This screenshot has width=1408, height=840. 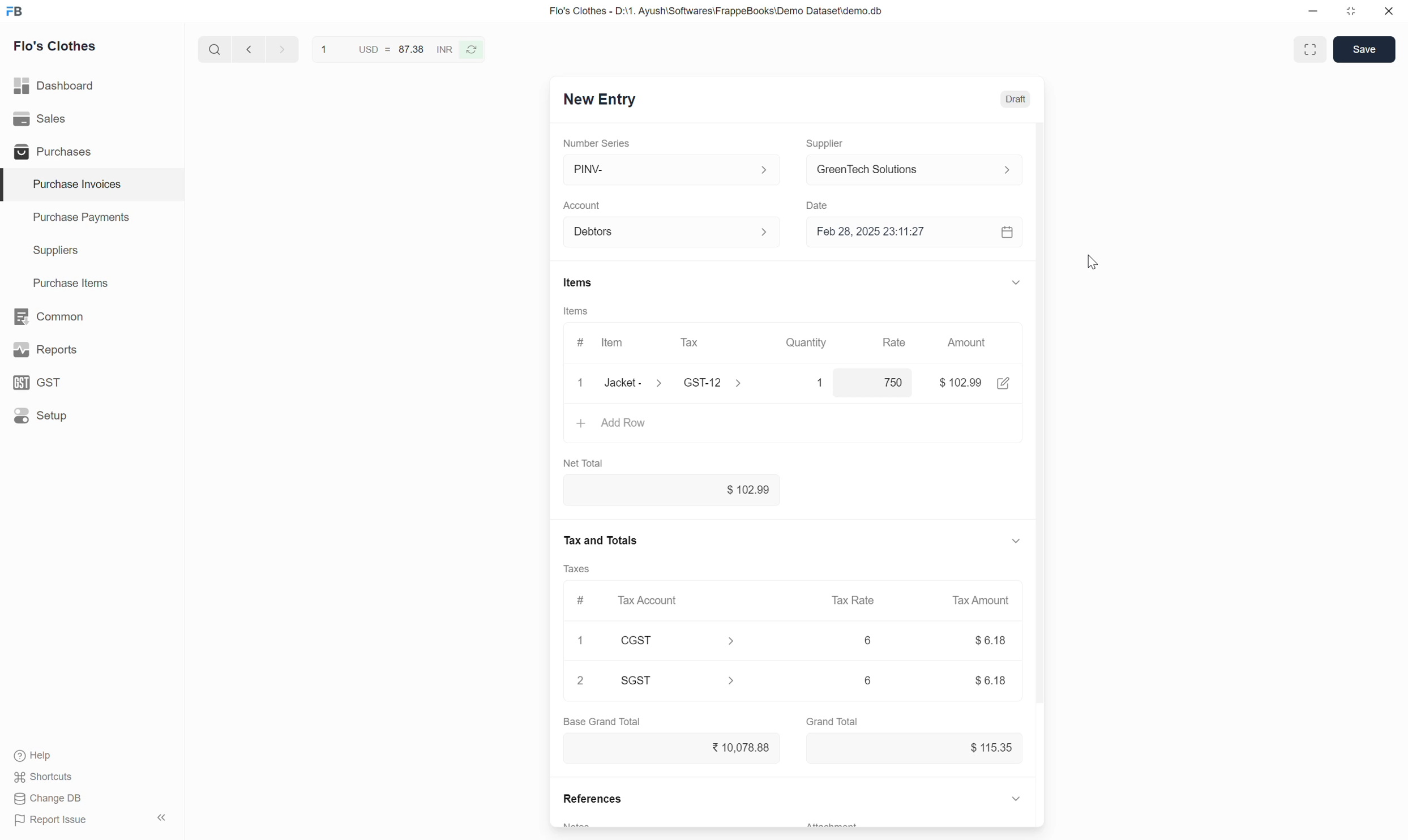 I want to click on GreenTech Solutions, so click(x=921, y=169).